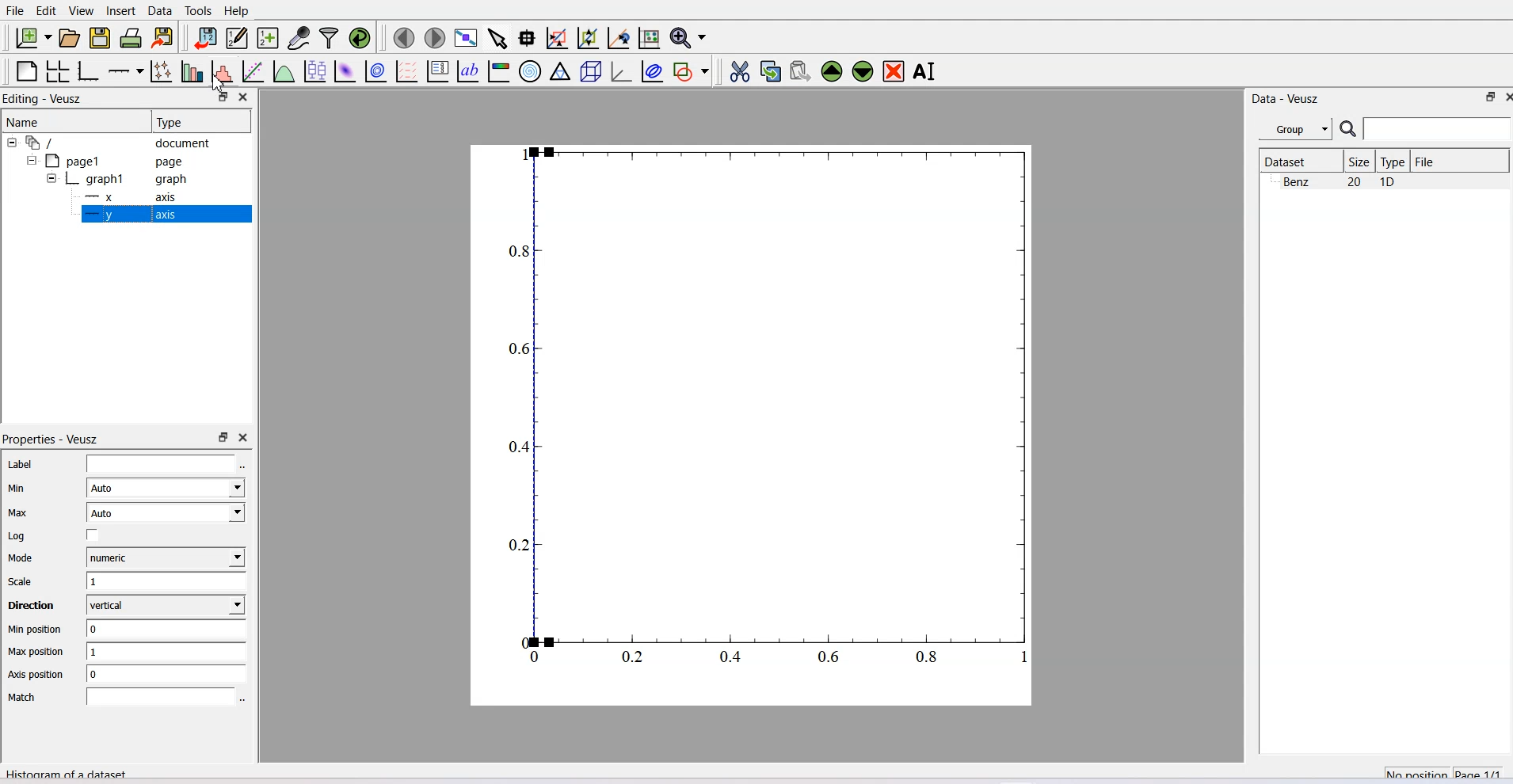 The image size is (1513, 784). I want to click on Editing - Veusz, so click(44, 97).